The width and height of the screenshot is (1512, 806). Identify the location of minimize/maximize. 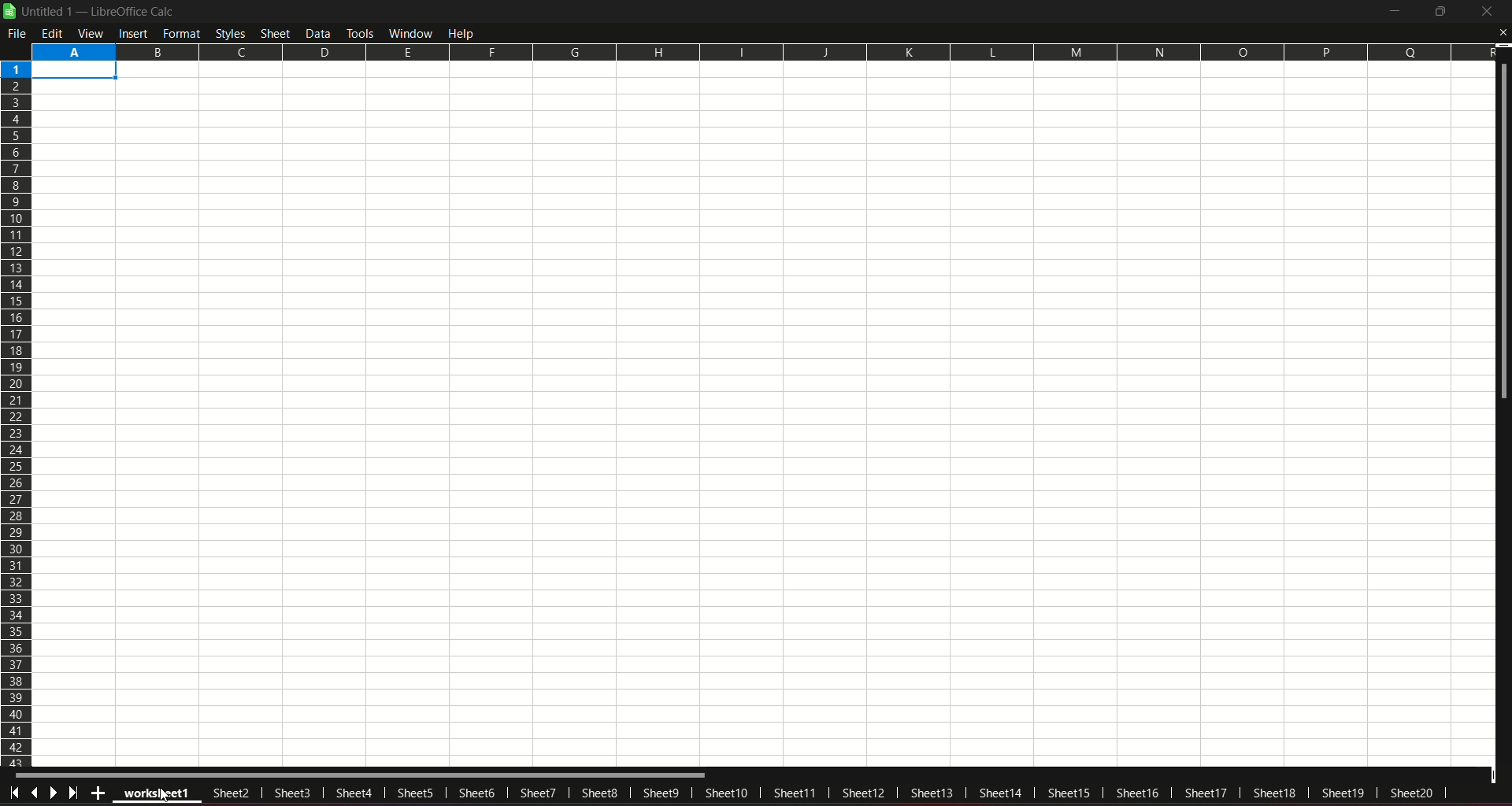
(1438, 12).